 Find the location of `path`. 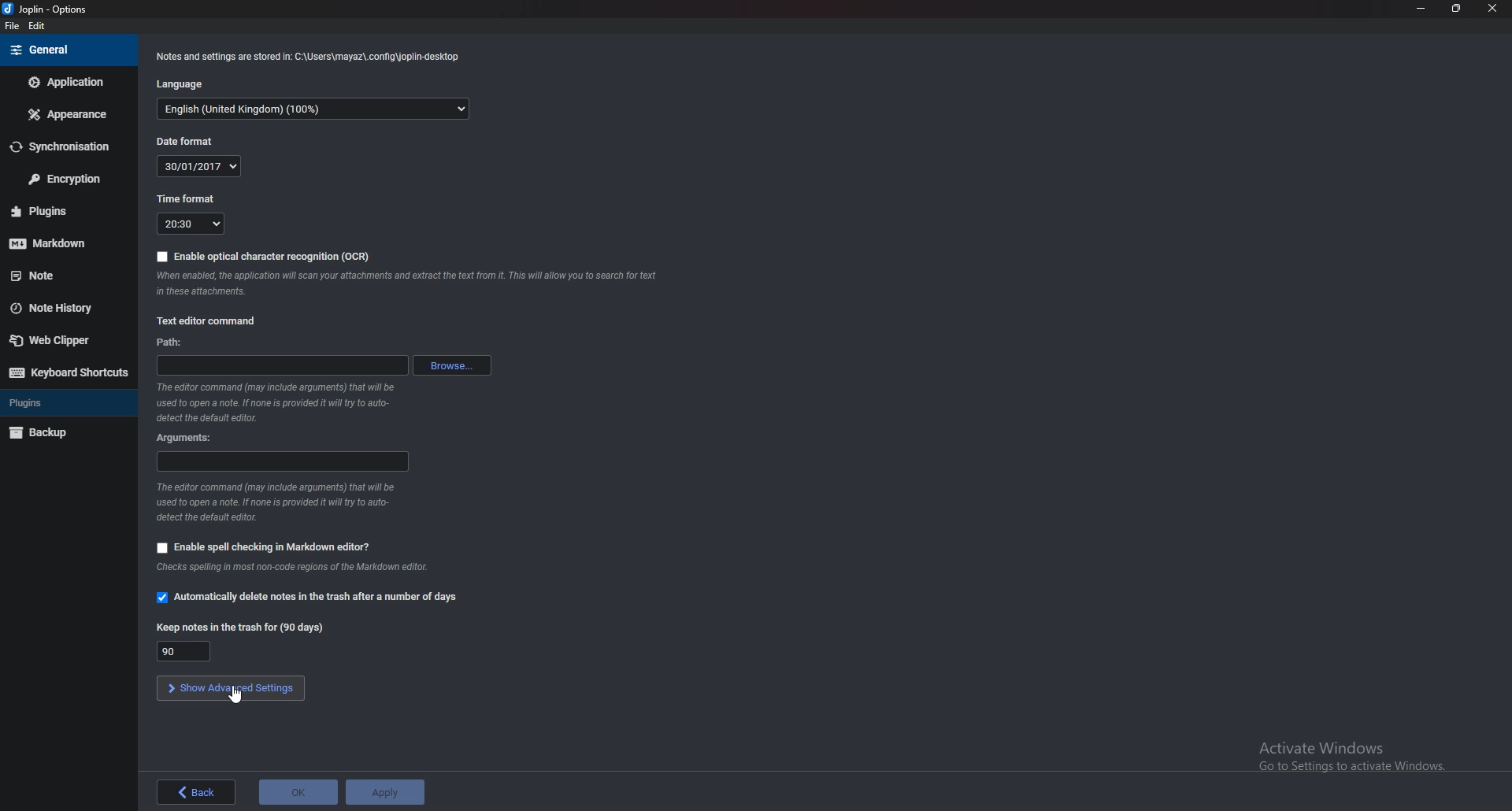

path is located at coordinates (280, 365).